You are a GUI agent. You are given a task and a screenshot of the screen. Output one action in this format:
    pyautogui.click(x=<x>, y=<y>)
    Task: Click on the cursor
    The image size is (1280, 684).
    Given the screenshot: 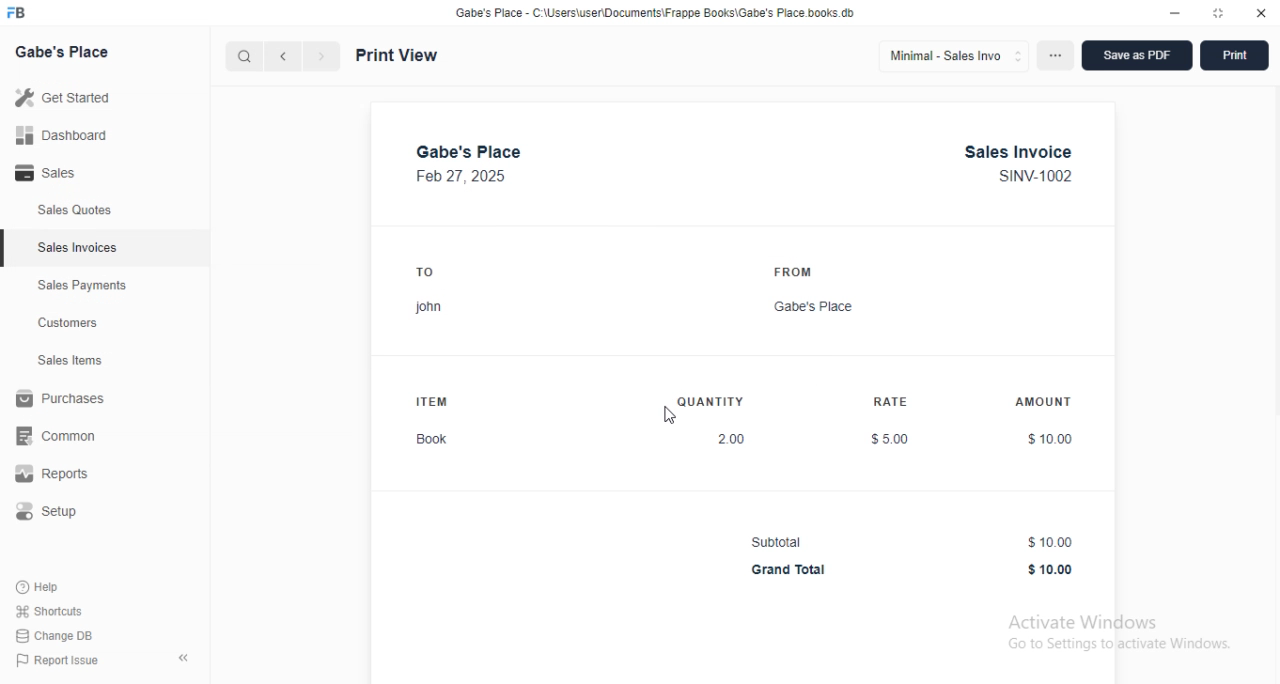 What is the action you would take?
    pyautogui.click(x=670, y=414)
    